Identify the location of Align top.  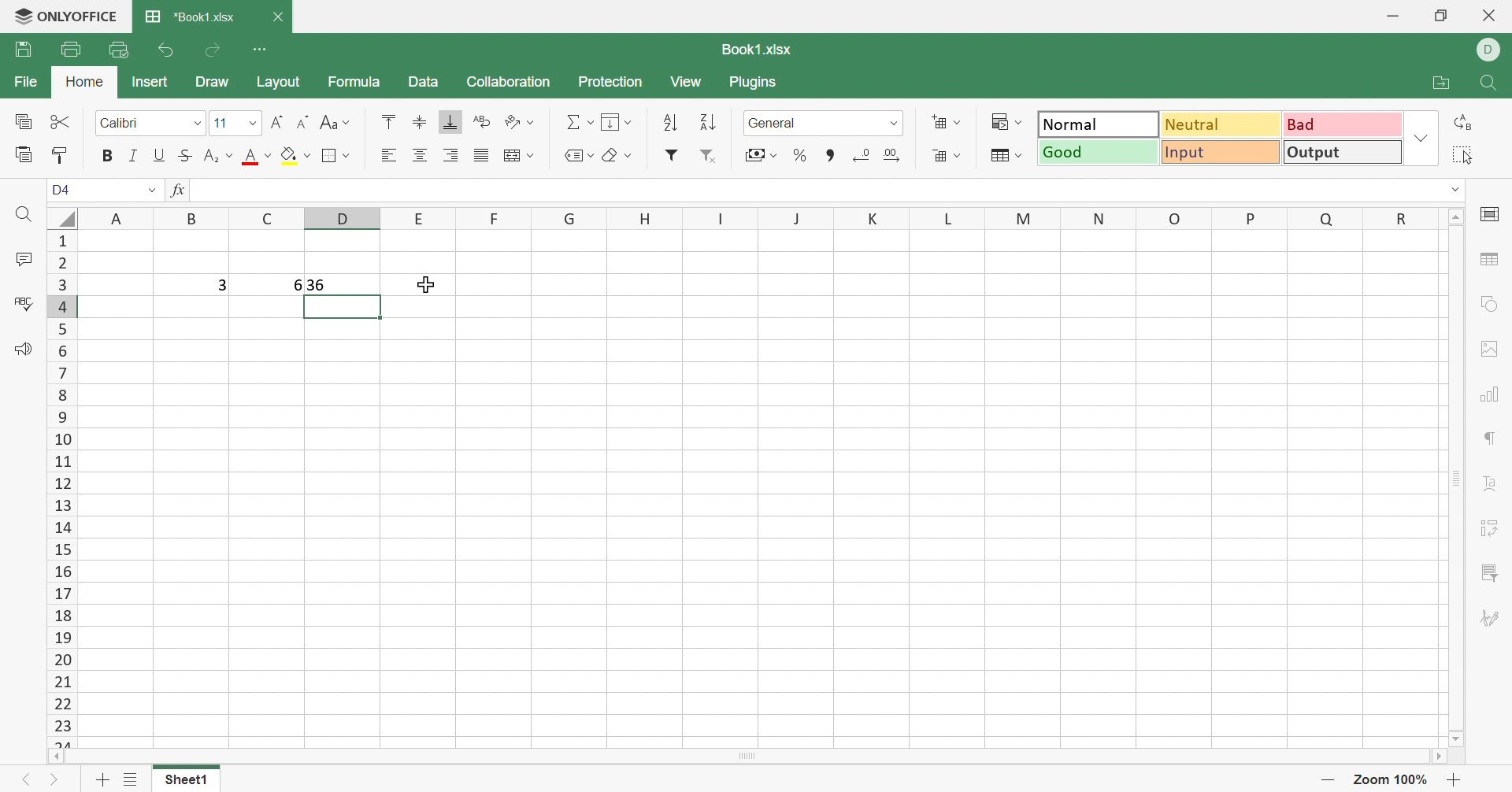
(387, 121).